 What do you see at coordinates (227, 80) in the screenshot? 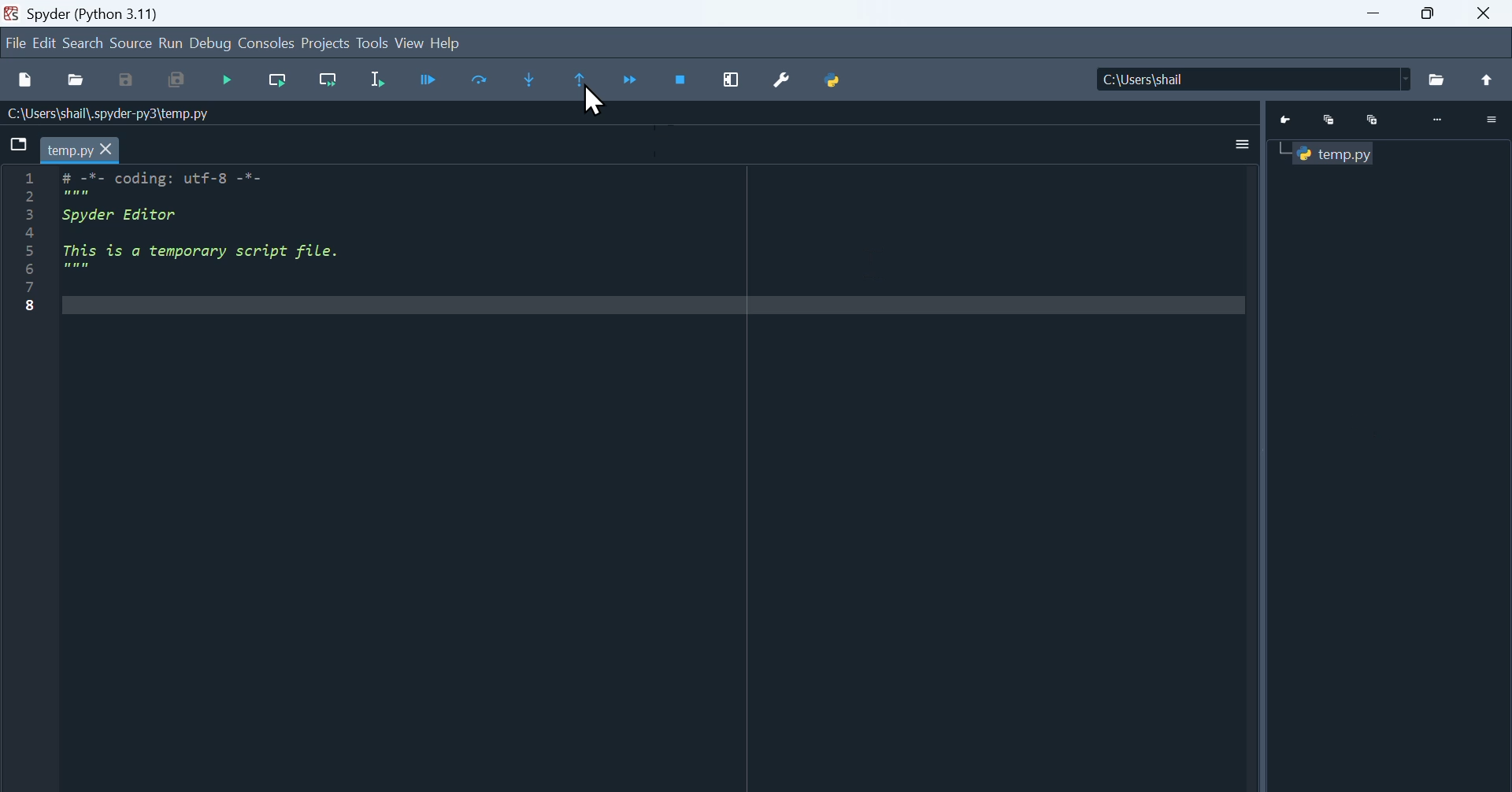
I see `Start debugging` at bounding box center [227, 80].